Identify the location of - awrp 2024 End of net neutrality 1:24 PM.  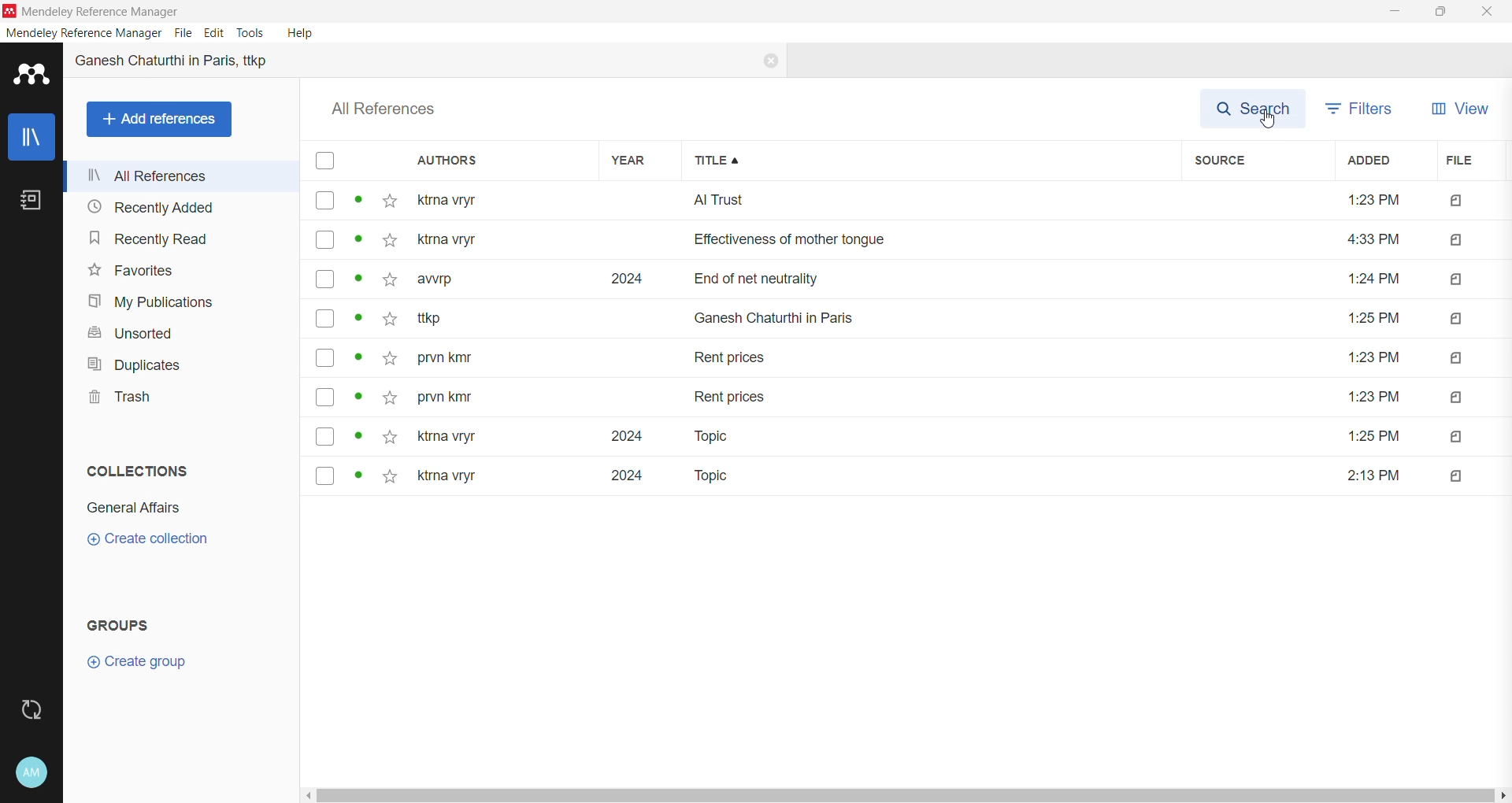
(911, 278).